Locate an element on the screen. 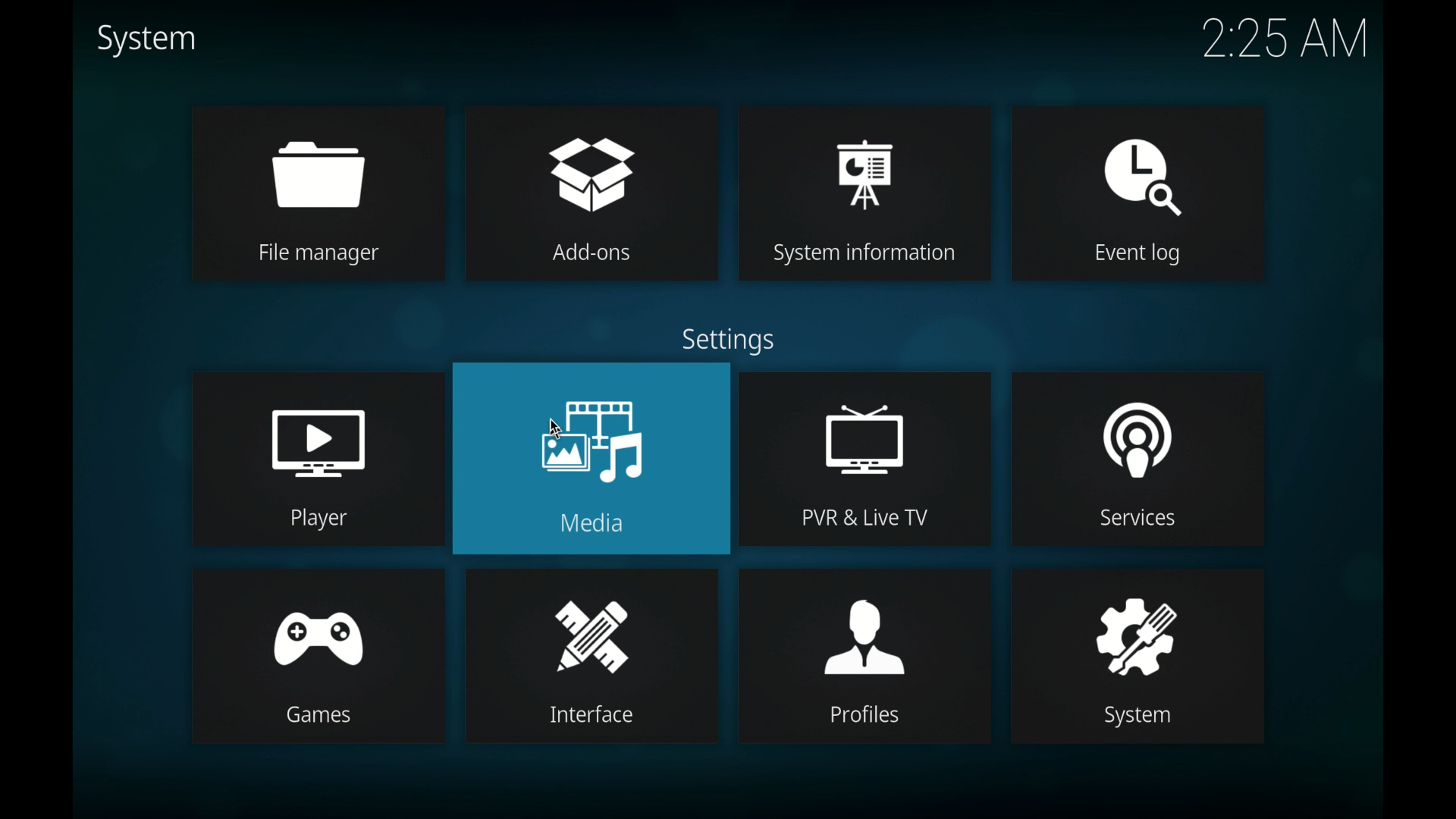  2:25 AM is located at coordinates (1277, 45).